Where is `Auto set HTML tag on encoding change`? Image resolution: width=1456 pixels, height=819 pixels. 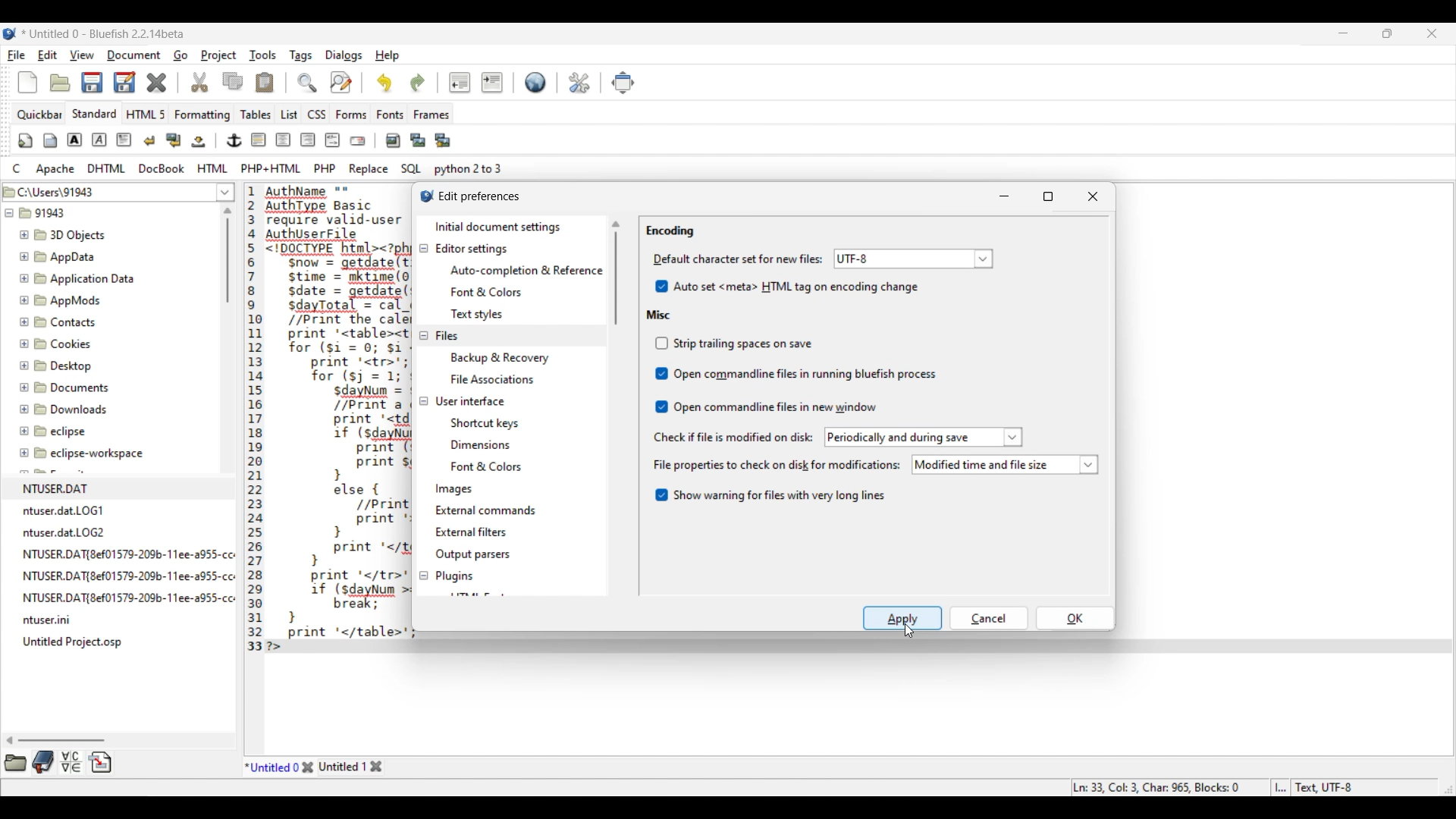 Auto set HTML tag on encoding change is located at coordinates (788, 285).